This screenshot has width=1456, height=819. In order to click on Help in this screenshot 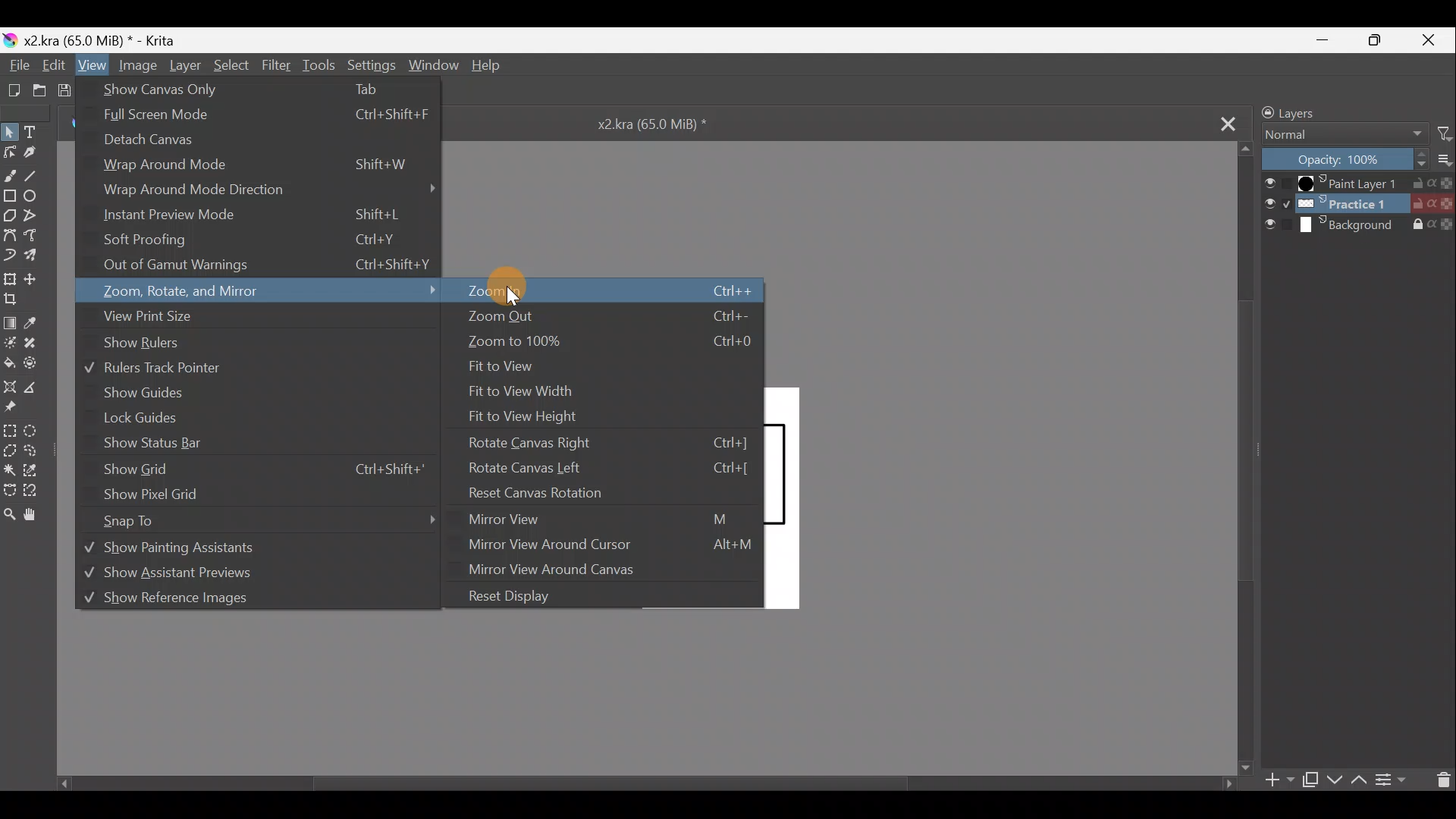, I will do `click(493, 69)`.